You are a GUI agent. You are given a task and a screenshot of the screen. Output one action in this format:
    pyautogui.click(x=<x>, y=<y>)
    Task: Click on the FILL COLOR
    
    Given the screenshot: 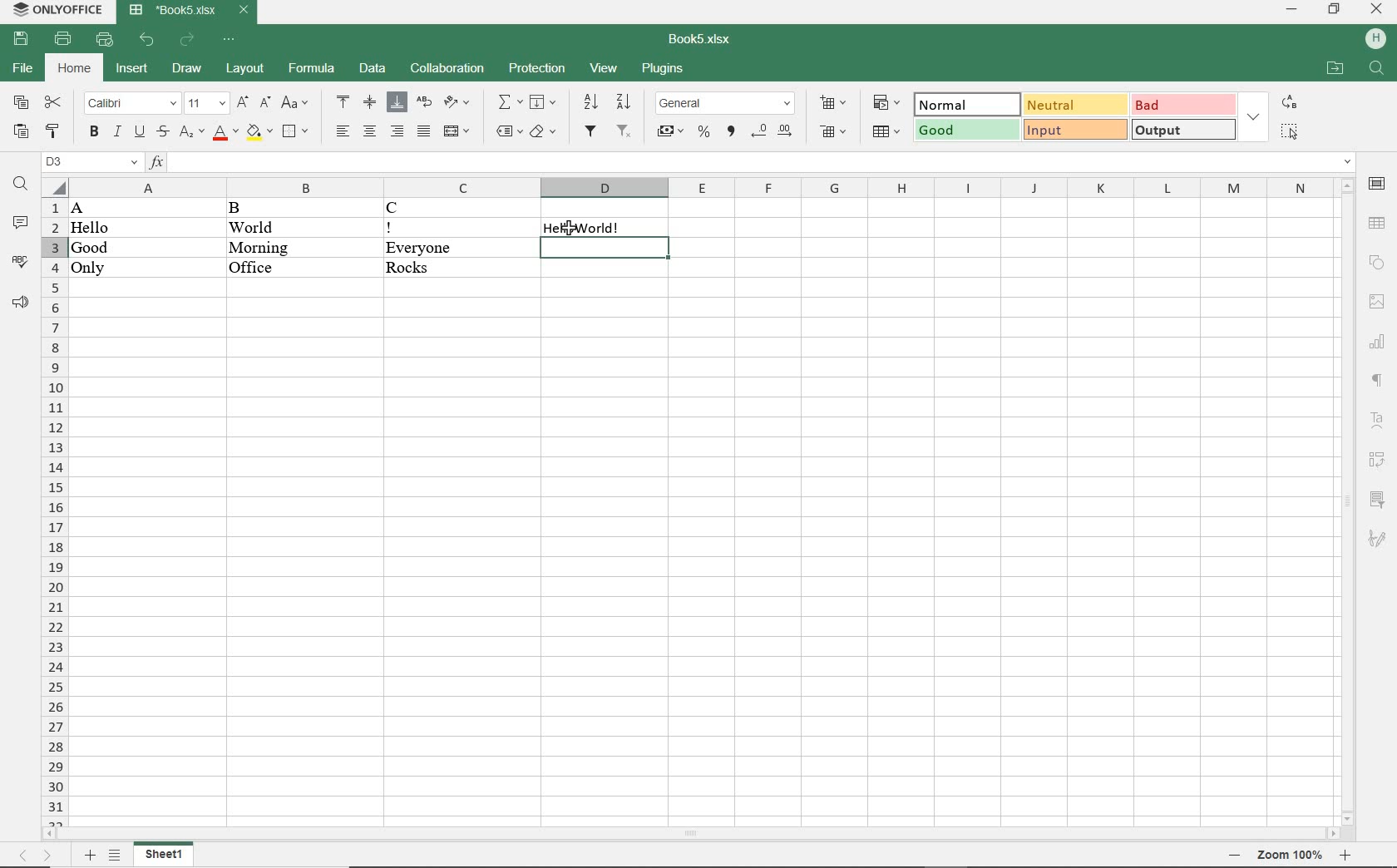 What is the action you would take?
    pyautogui.click(x=260, y=132)
    